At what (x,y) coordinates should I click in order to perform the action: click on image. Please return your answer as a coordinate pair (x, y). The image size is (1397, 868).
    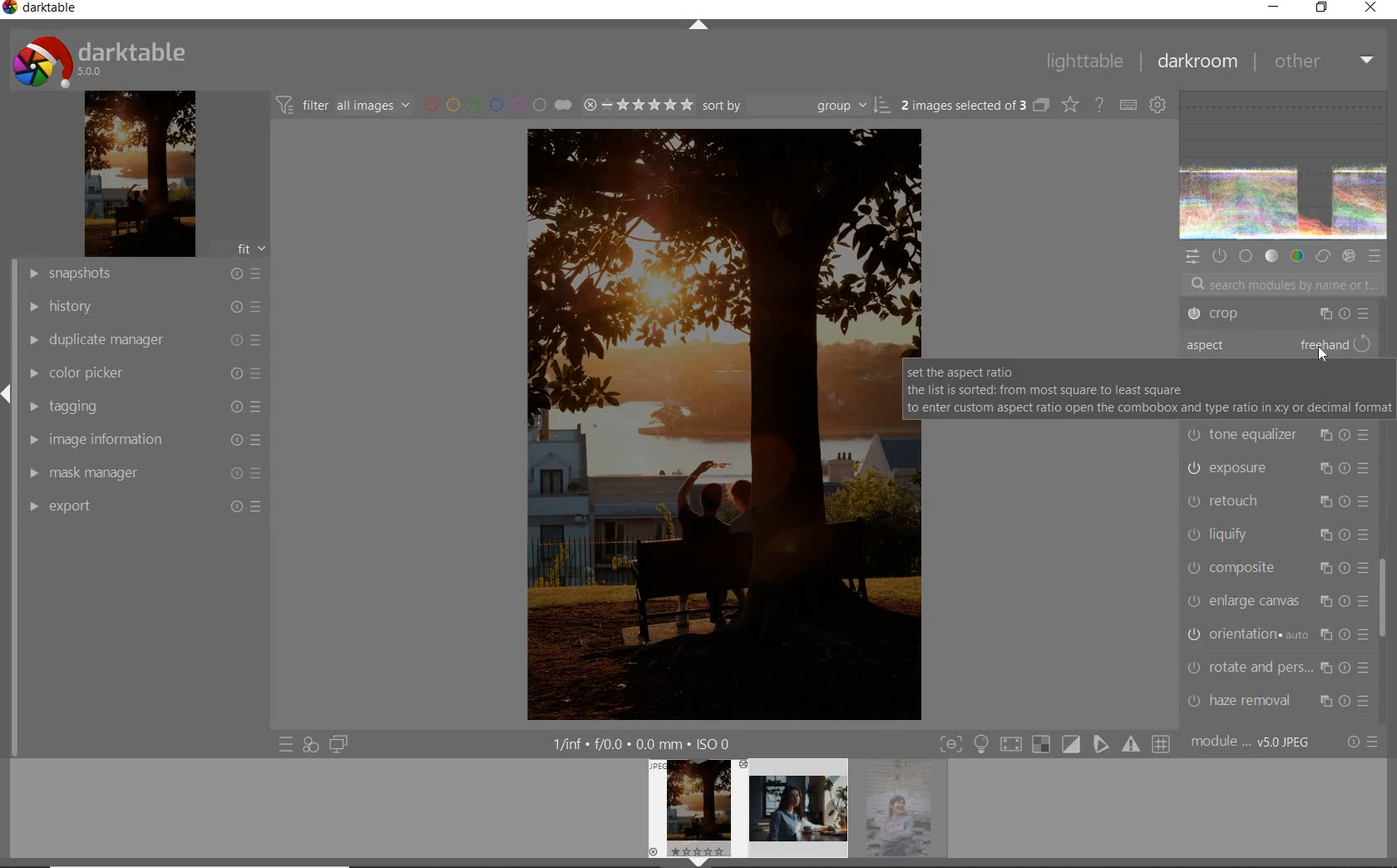
    Looking at the image, I should click on (138, 175).